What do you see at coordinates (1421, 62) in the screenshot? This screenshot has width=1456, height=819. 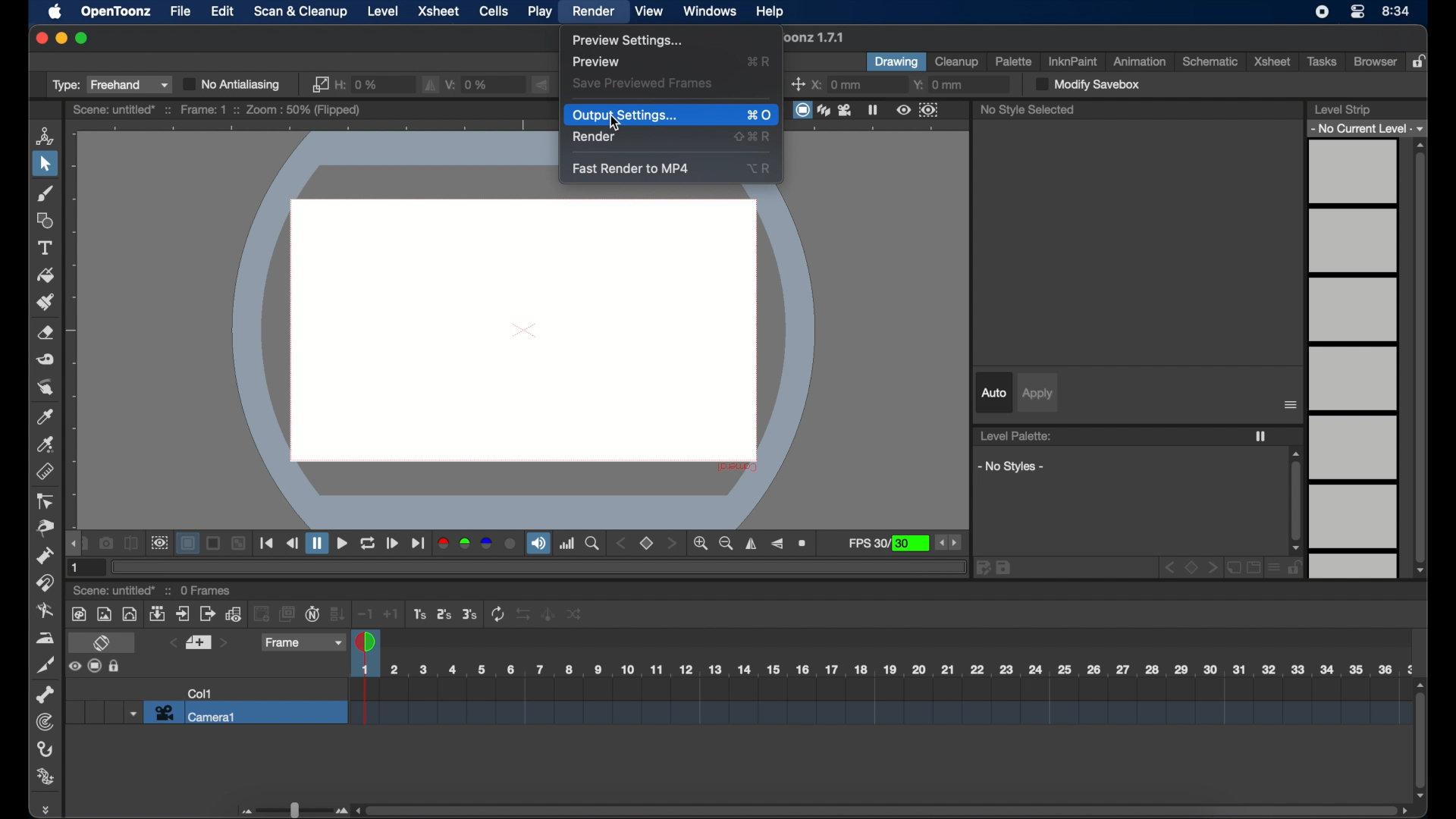 I see `lock` at bounding box center [1421, 62].